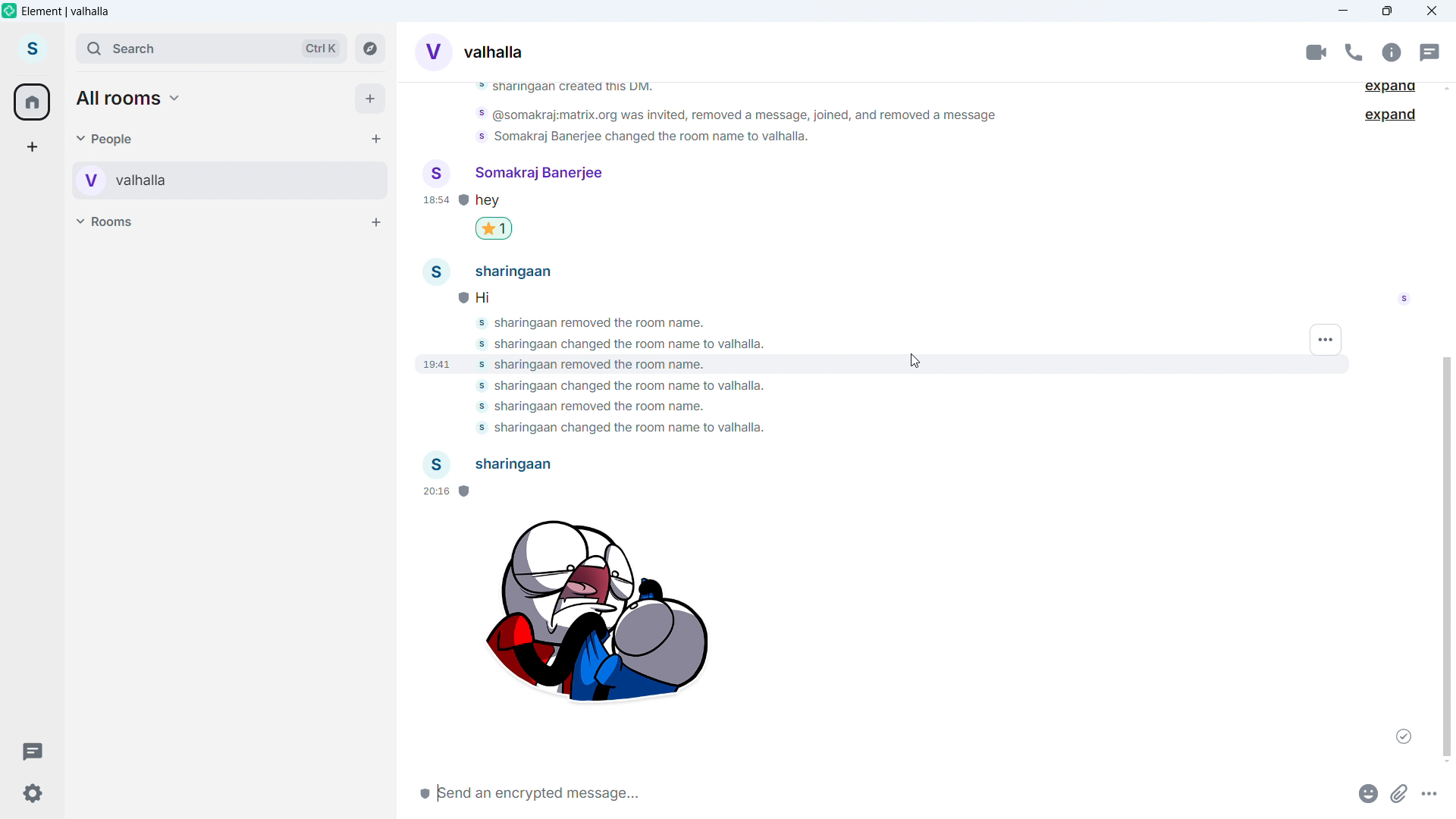 The image size is (1456, 819). I want to click on cursor movement, so click(920, 362).